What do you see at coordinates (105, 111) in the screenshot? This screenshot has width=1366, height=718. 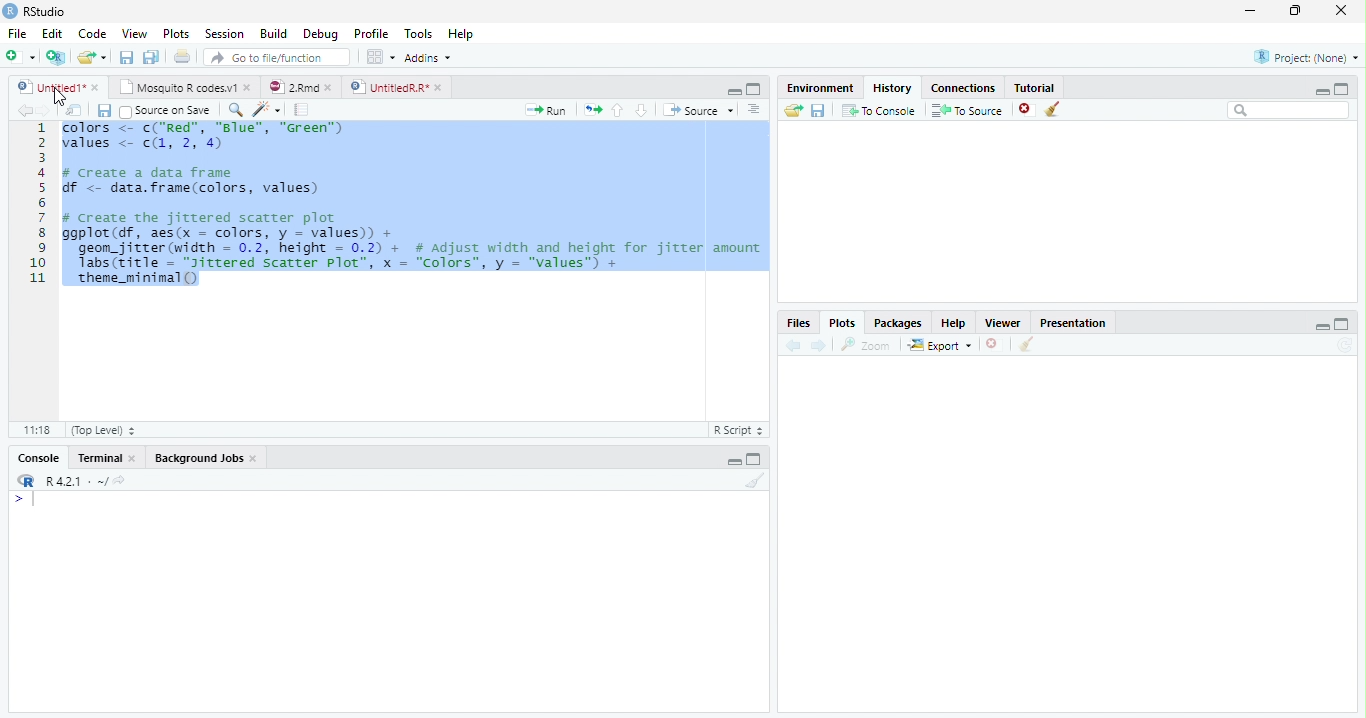 I see `Save current document` at bounding box center [105, 111].